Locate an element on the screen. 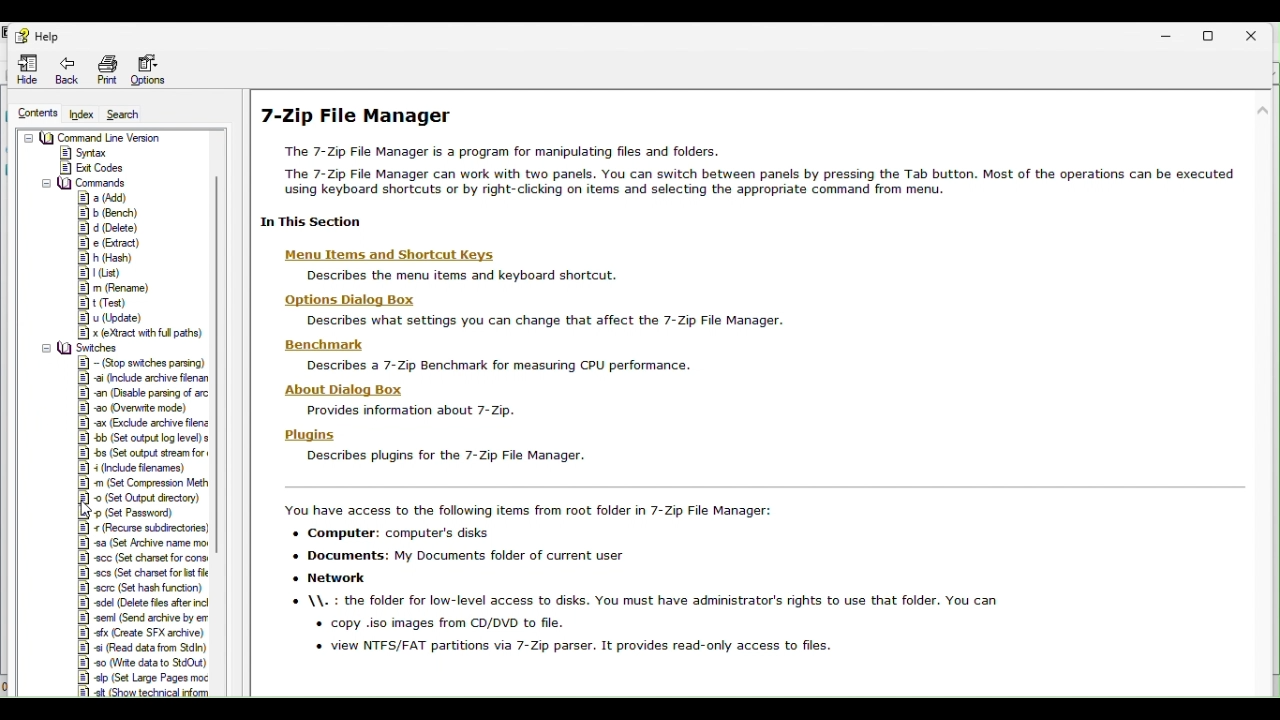  Commands is located at coordinates (103, 182).